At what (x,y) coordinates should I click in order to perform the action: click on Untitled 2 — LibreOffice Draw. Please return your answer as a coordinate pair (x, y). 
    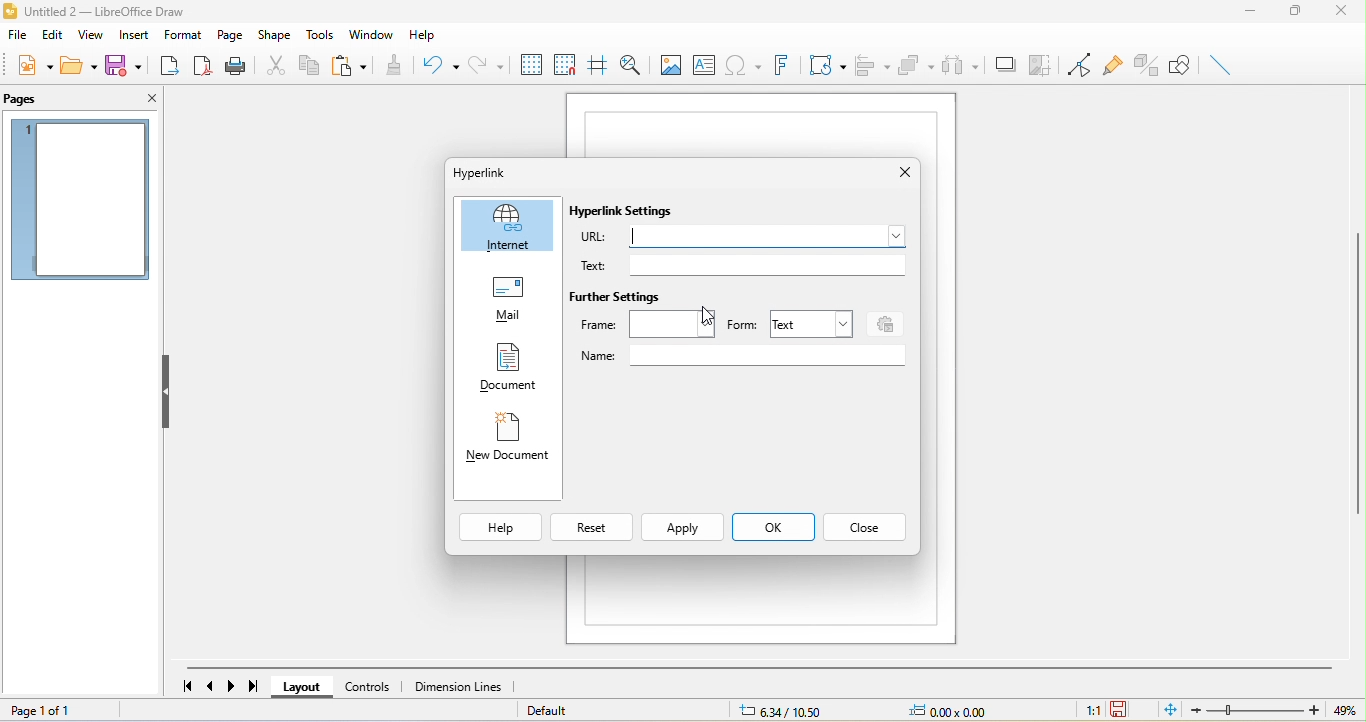
    Looking at the image, I should click on (113, 11).